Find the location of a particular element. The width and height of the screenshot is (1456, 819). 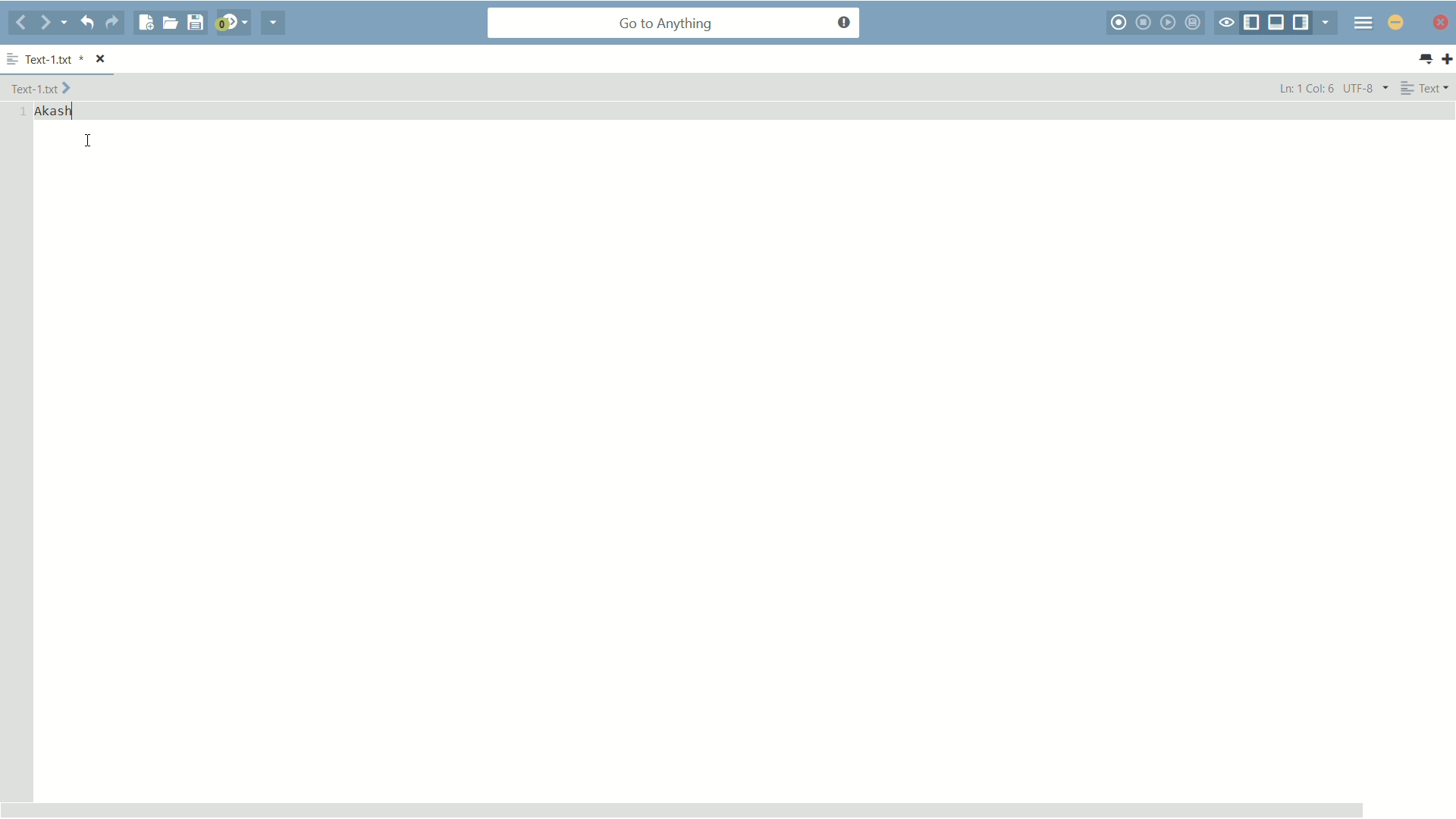

stop macro is located at coordinates (1144, 23).